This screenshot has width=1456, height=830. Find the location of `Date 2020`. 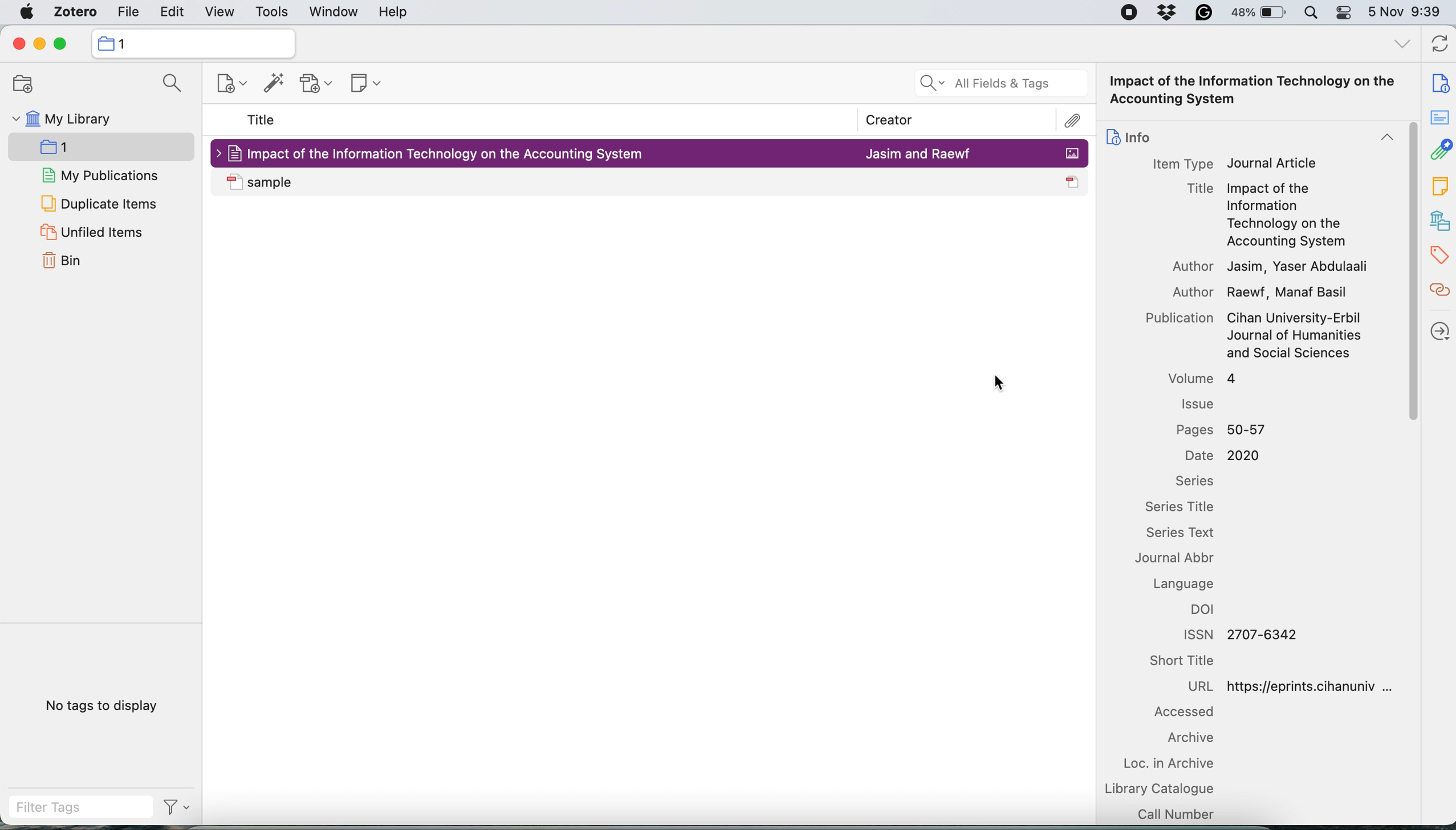

Date 2020 is located at coordinates (1225, 455).